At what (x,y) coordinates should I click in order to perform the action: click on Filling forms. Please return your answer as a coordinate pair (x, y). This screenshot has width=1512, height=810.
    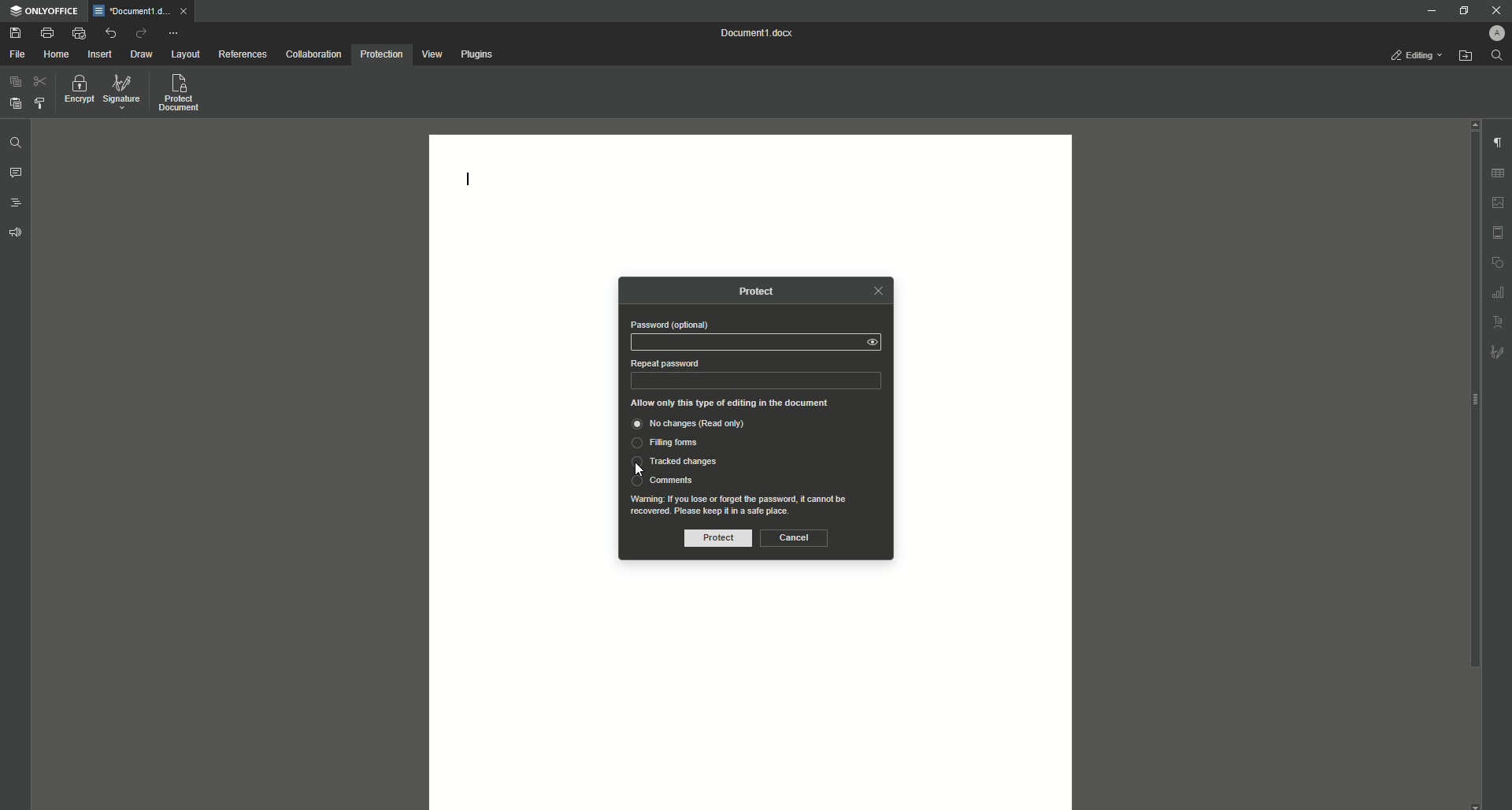
    Looking at the image, I should click on (666, 444).